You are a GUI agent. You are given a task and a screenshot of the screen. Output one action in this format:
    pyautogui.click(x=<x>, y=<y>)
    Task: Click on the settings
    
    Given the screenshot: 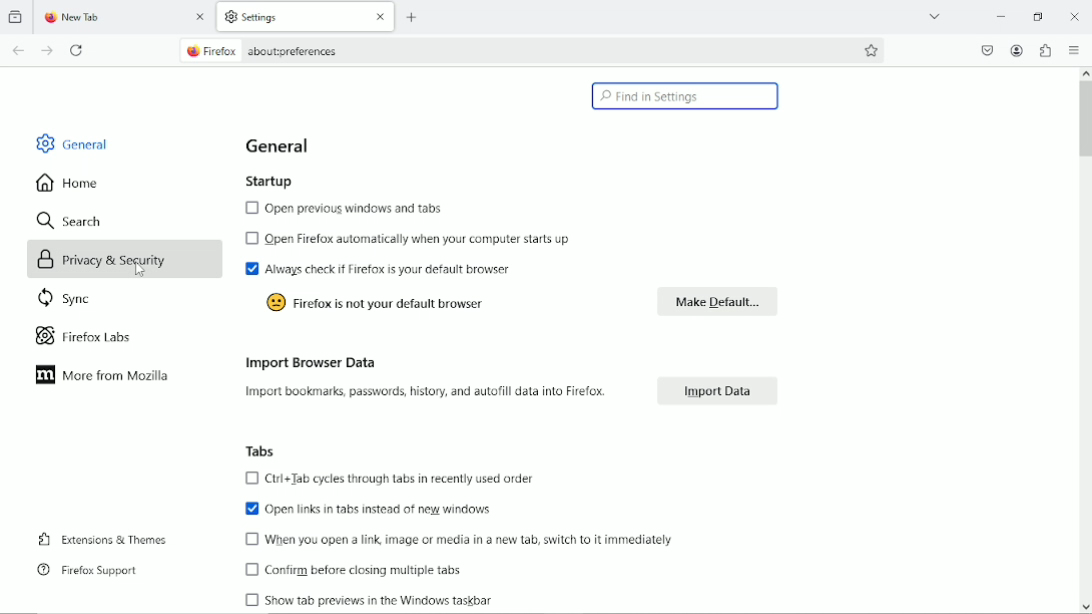 What is the action you would take?
    pyautogui.click(x=275, y=18)
    